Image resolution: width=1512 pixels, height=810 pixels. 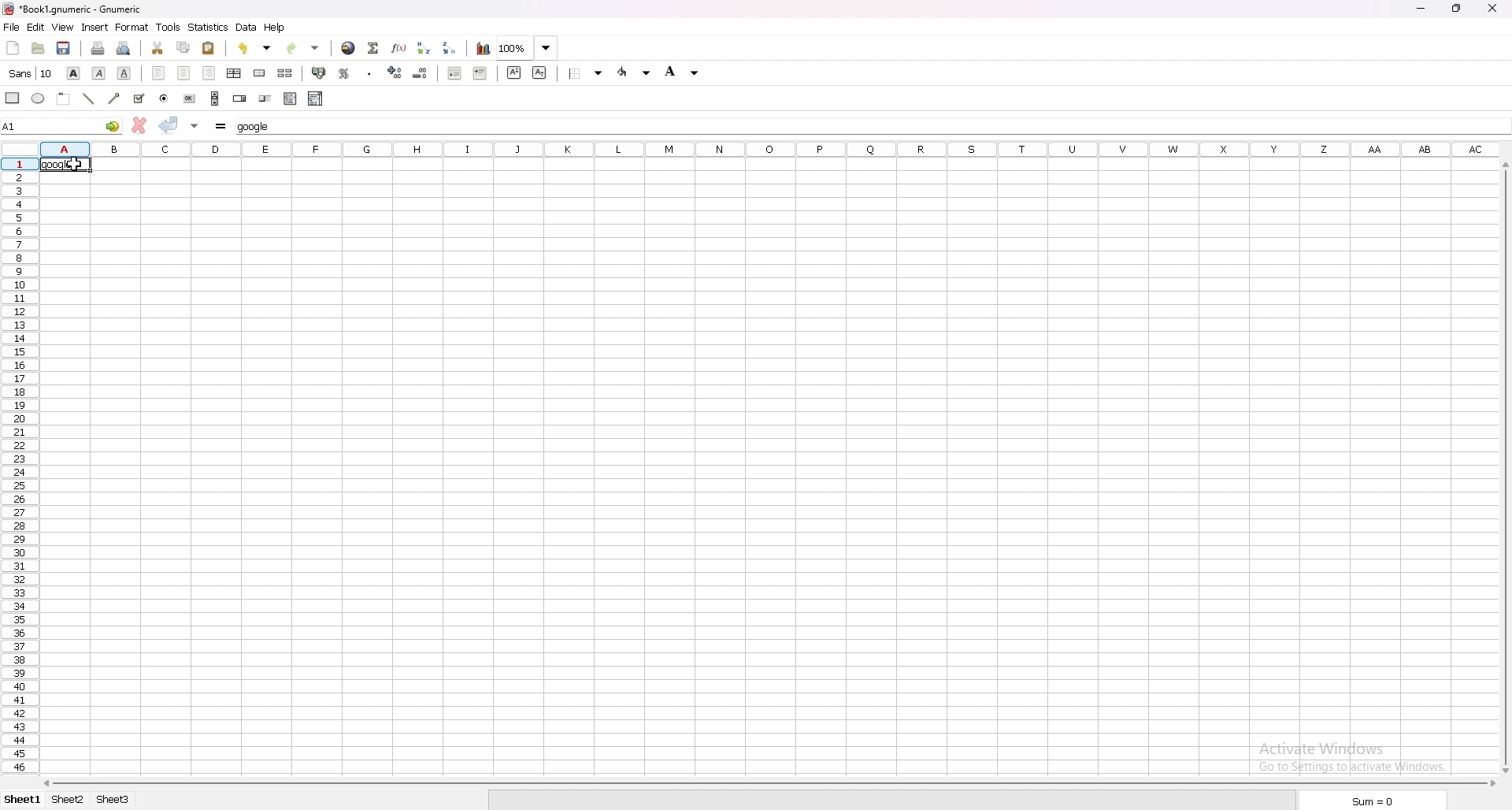 What do you see at coordinates (66, 48) in the screenshot?
I see `save` at bounding box center [66, 48].